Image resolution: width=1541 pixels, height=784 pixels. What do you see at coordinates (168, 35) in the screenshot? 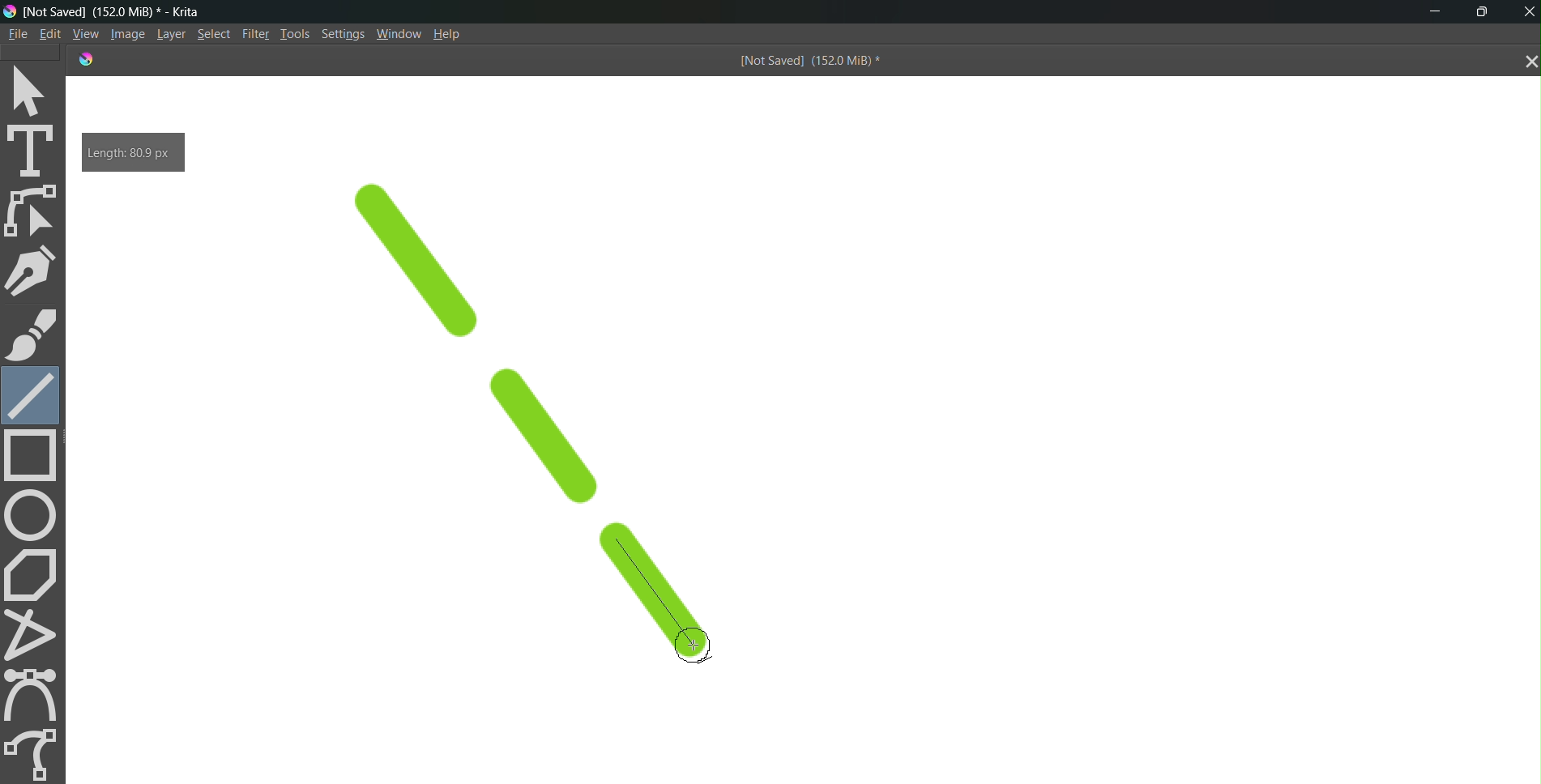
I see `Layer` at bounding box center [168, 35].